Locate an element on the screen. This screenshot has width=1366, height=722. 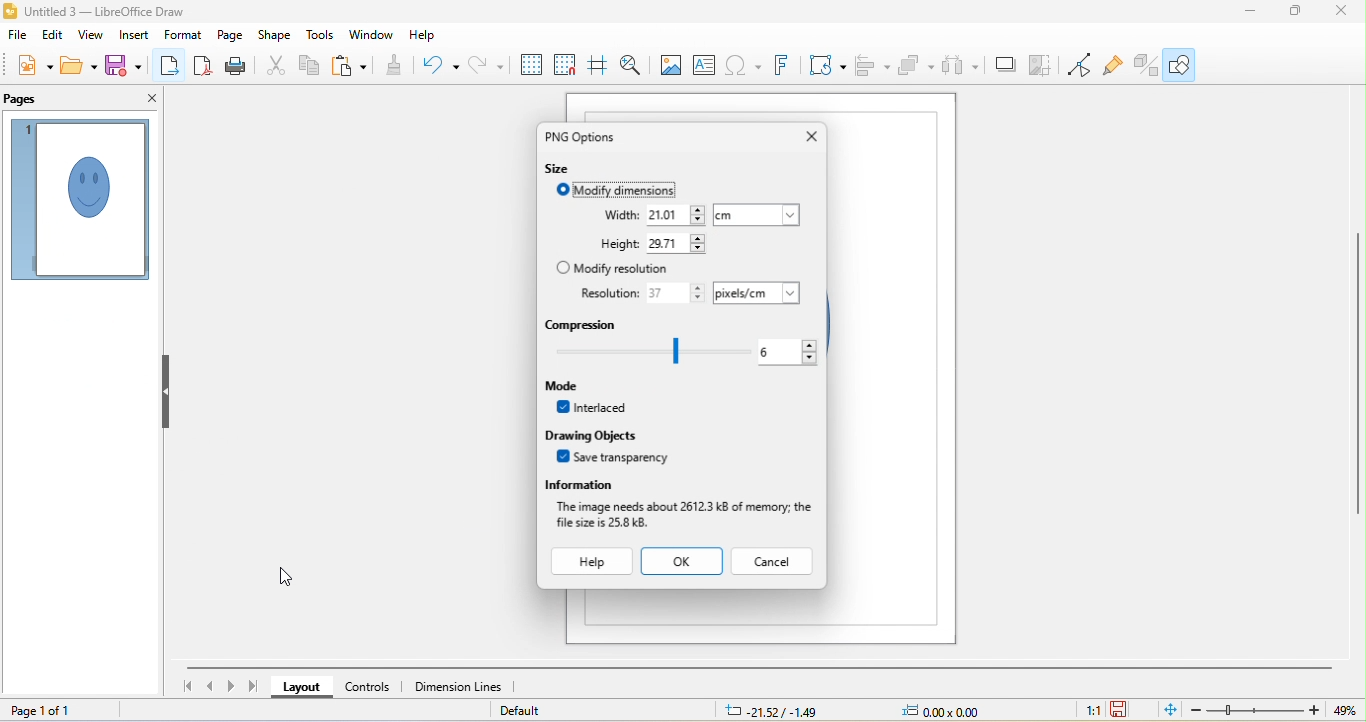
page is located at coordinates (228, 35).